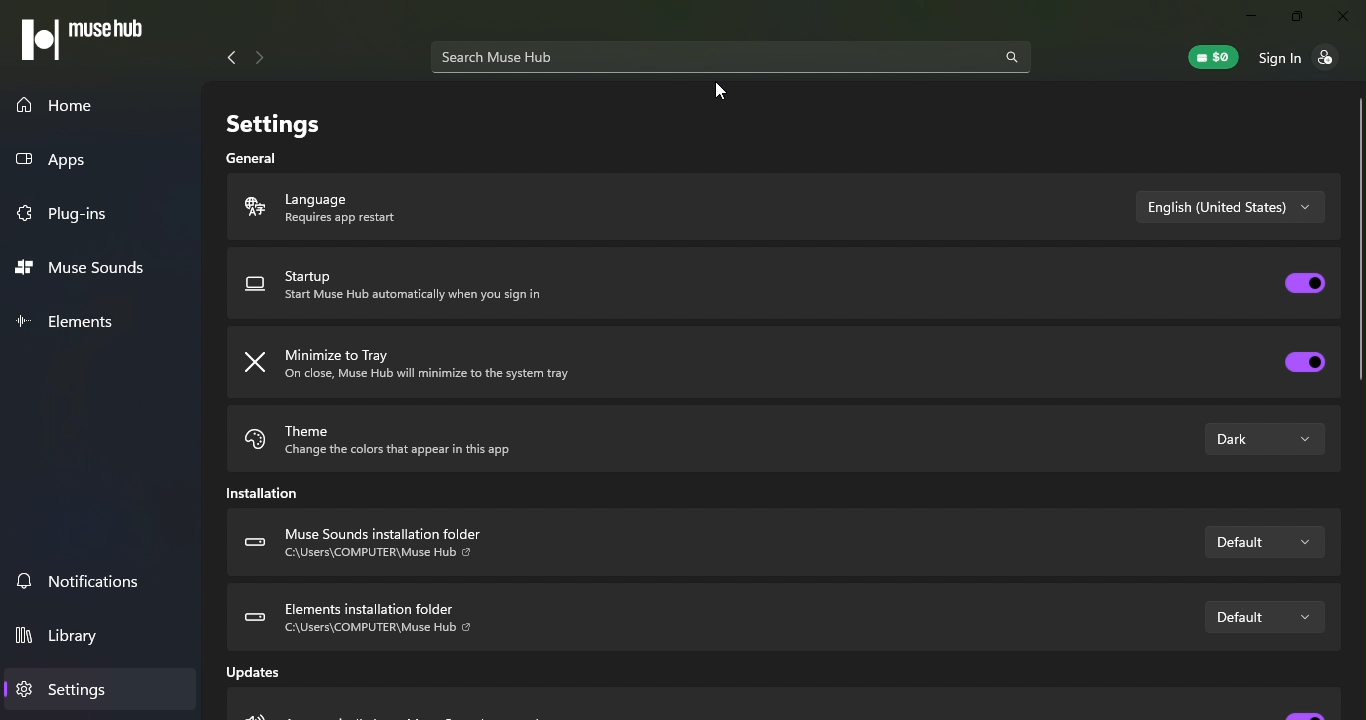 The image size is (1366, 720). What do you see at coordinates (720, 91) in the screenshot?
I see `Cursor` at bounding box center [720, 91].